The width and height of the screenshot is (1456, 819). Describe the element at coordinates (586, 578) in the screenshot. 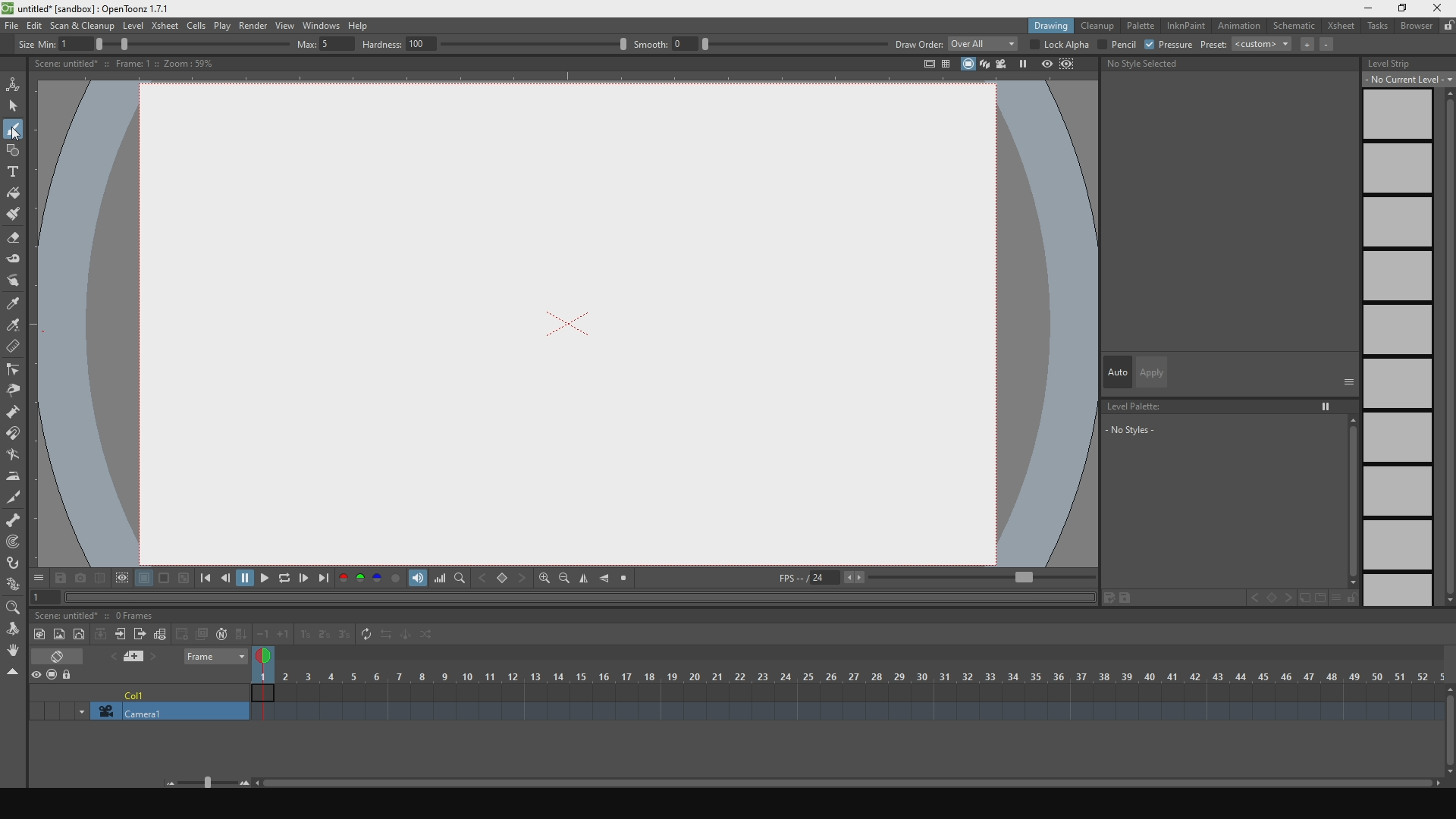

I see `align vertically` at that location.